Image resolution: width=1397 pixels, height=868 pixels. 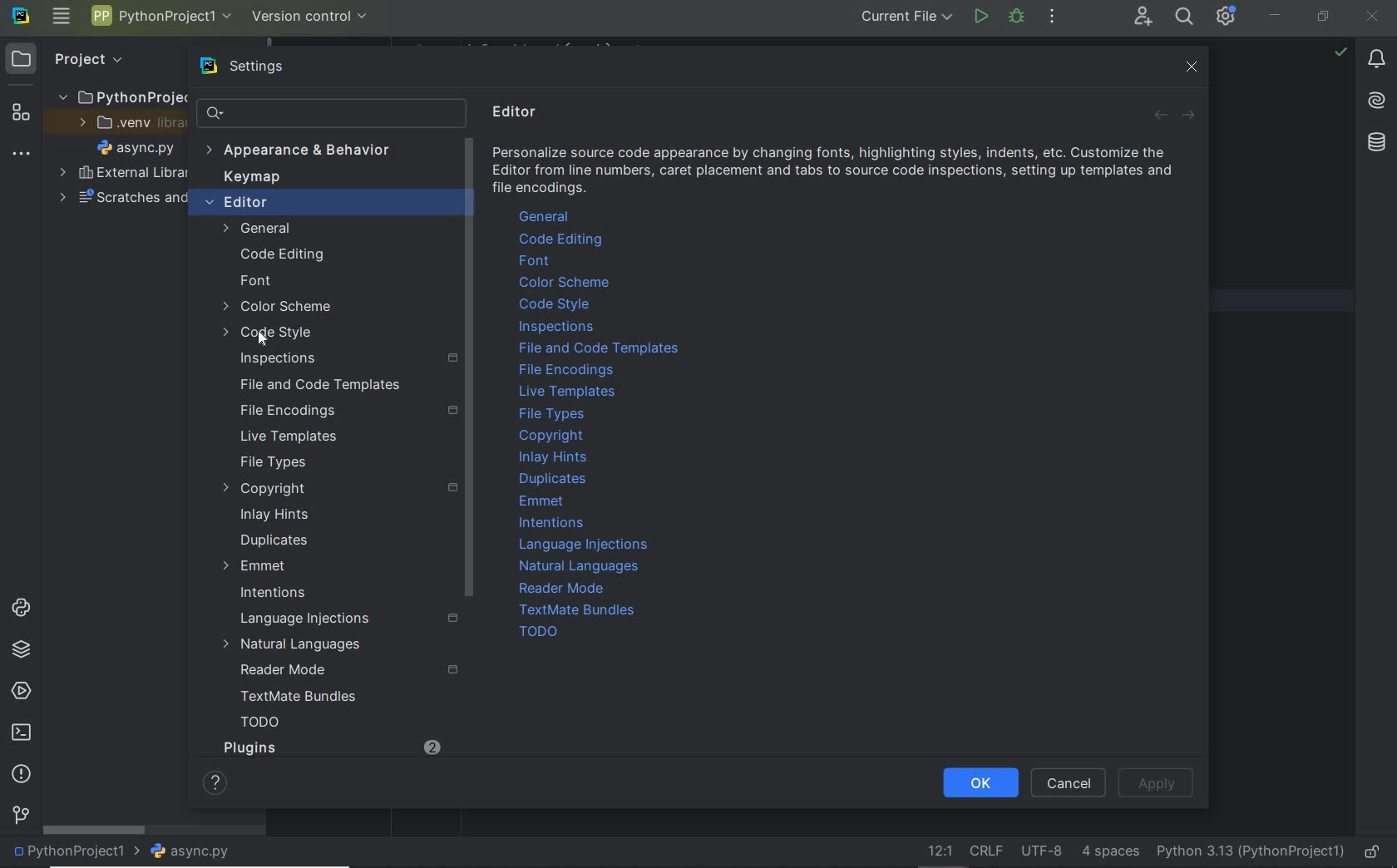 I want to click on Go to line, so click(x=936, y=851).